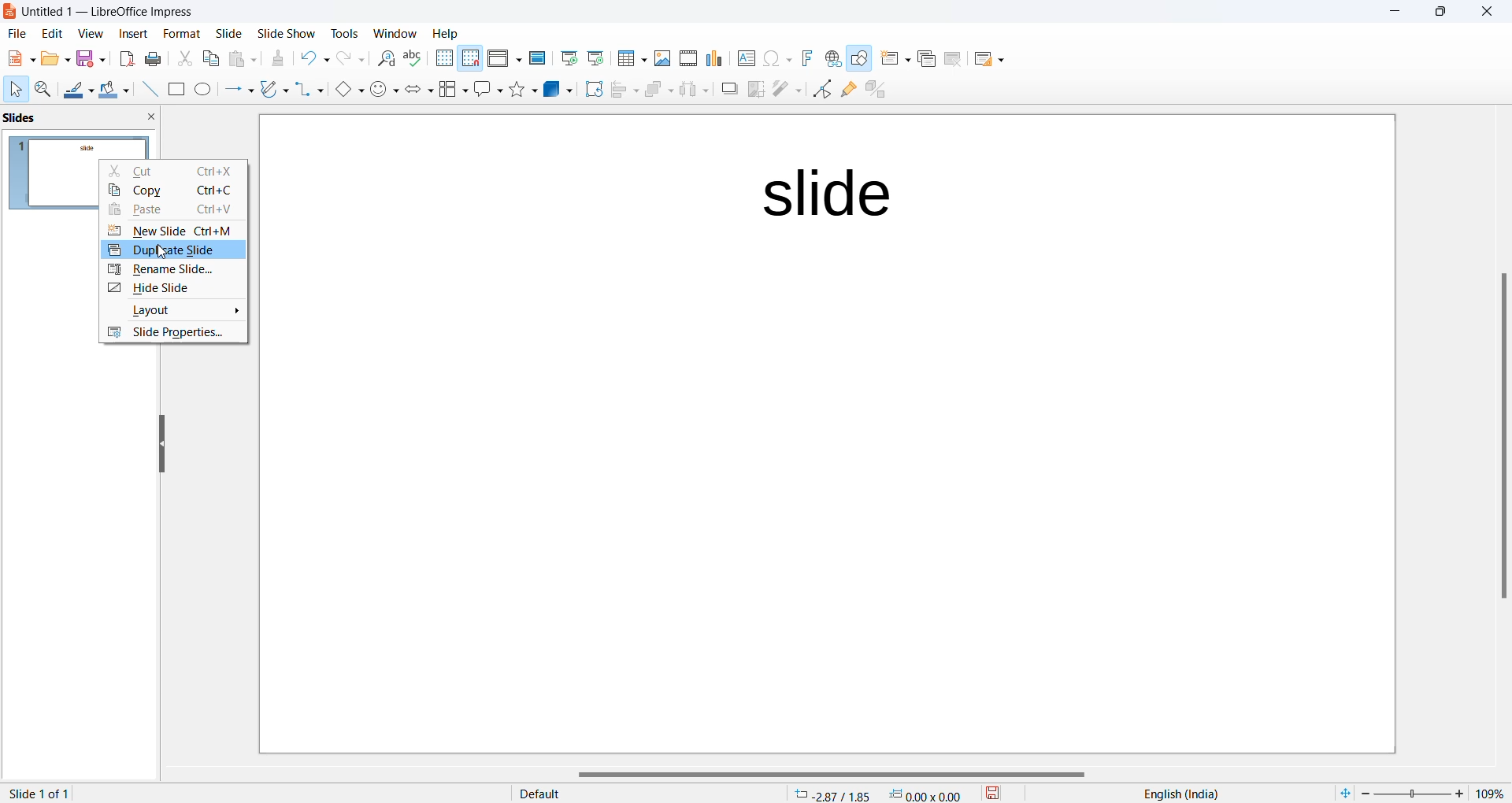  Describe the element at coordinates (31, 117) in the screenshot. I see `slide preview pane` at that location.